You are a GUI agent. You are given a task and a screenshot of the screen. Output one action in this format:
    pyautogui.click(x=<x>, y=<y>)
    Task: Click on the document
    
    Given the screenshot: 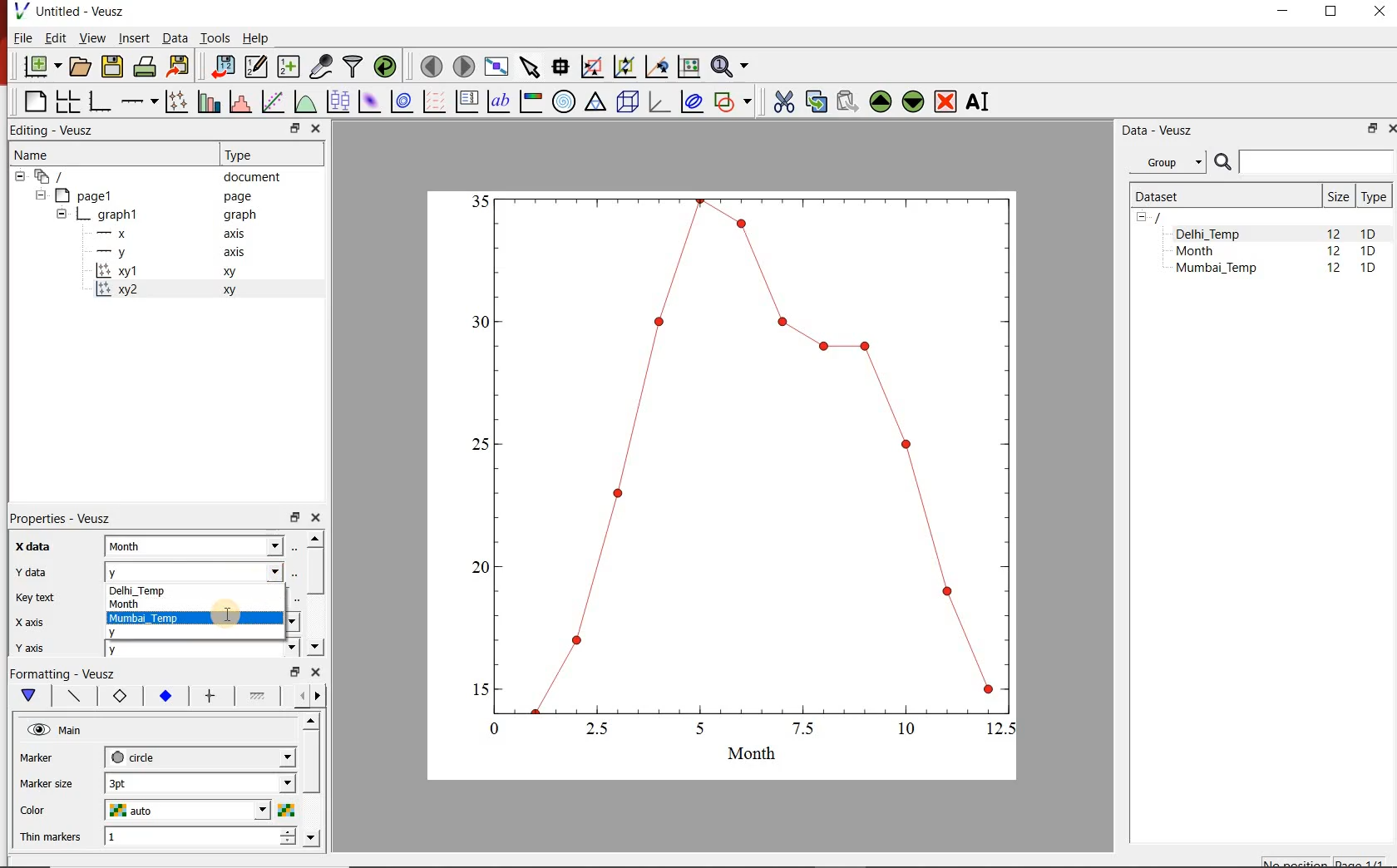 What is the action you would take?
    pyautogui.click(x=151, y=175)
    